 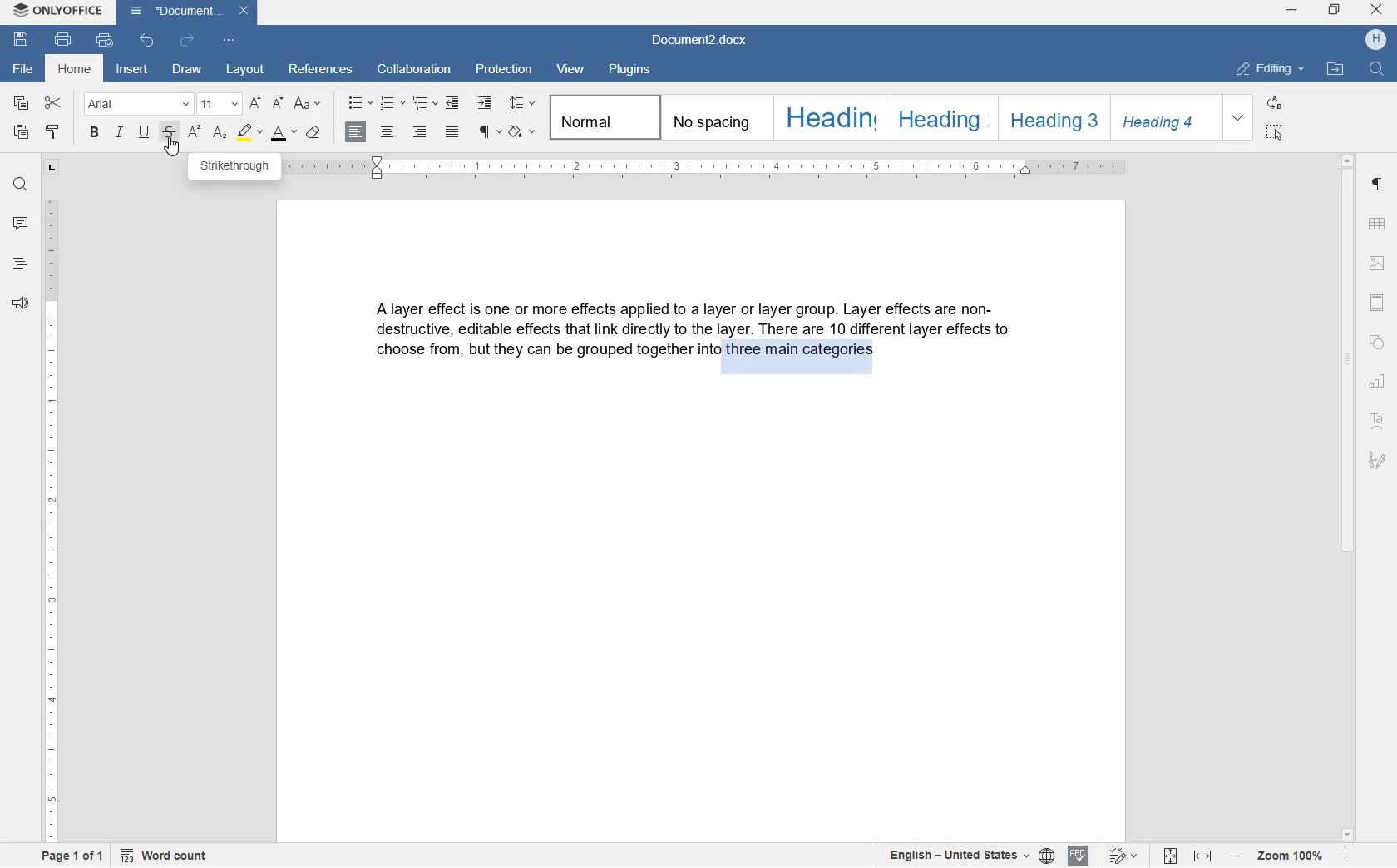 I want to click on cut, so click(x=55, y=104).